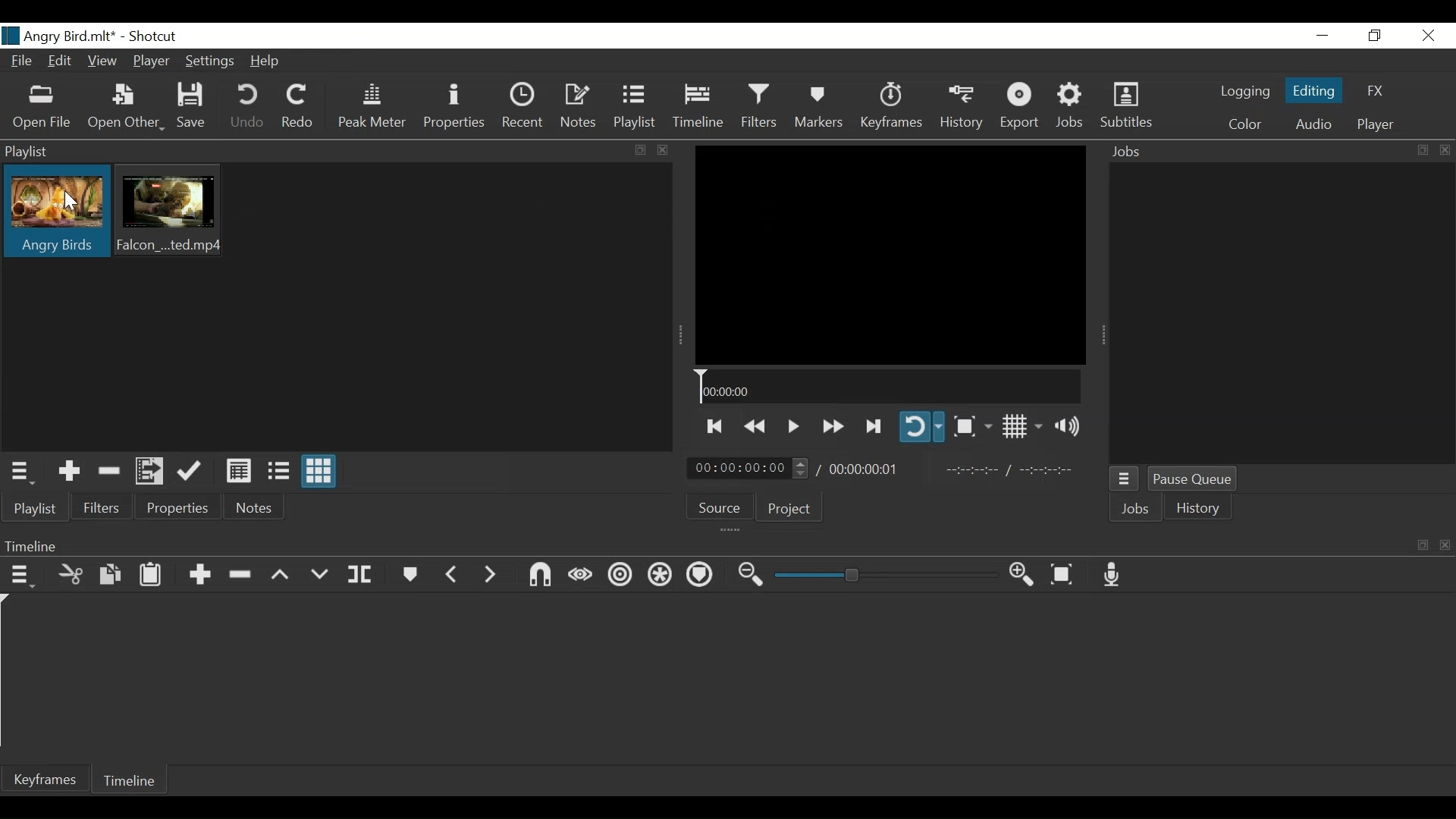  I want to click on Cursor, so click(71, 200).